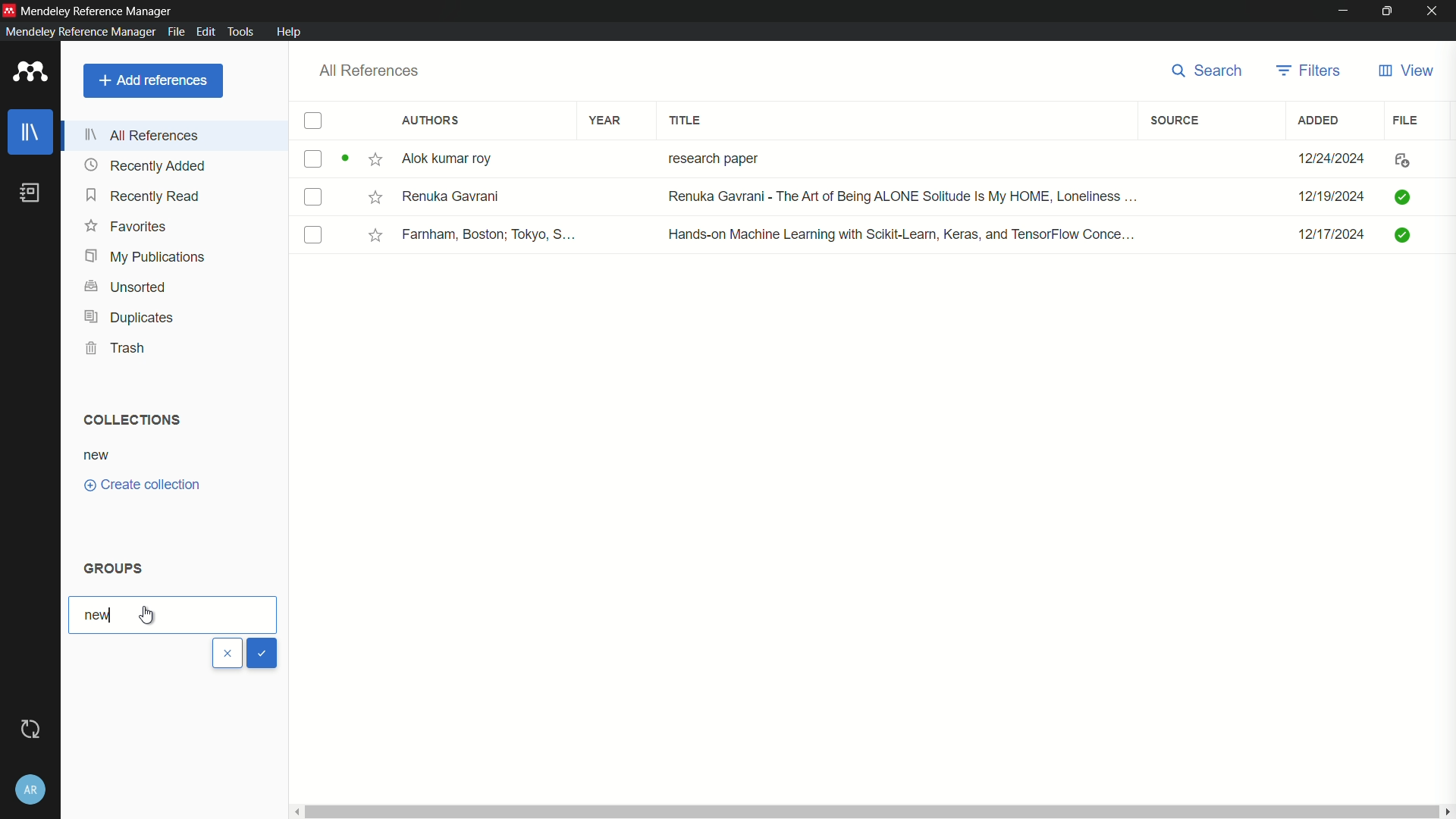  Describe the element at coordinates (290, 32) in the screenshot. I see `help menu` at that location.